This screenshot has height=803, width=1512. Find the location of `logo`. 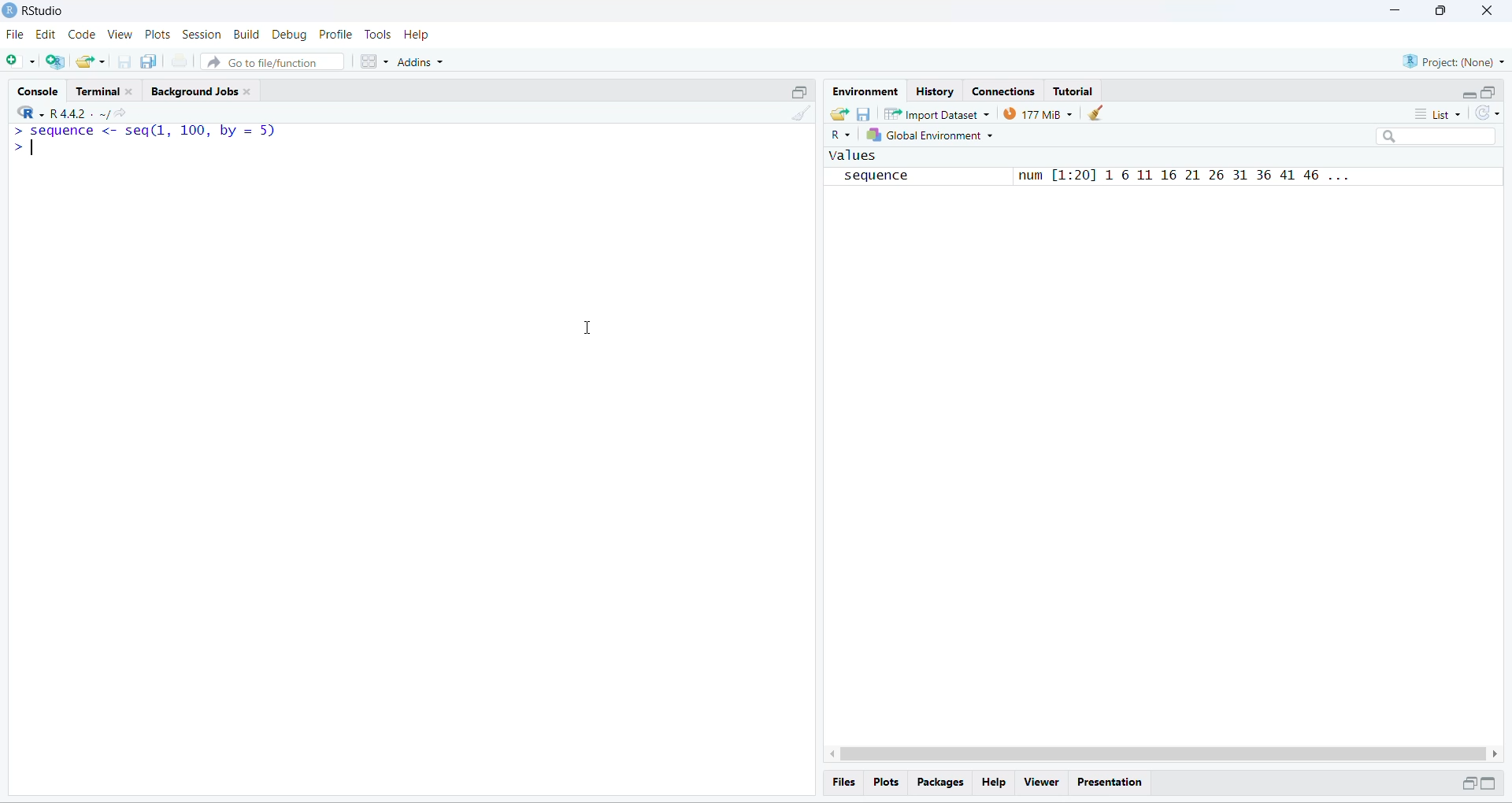

logo is located at coordinates (9, 9).